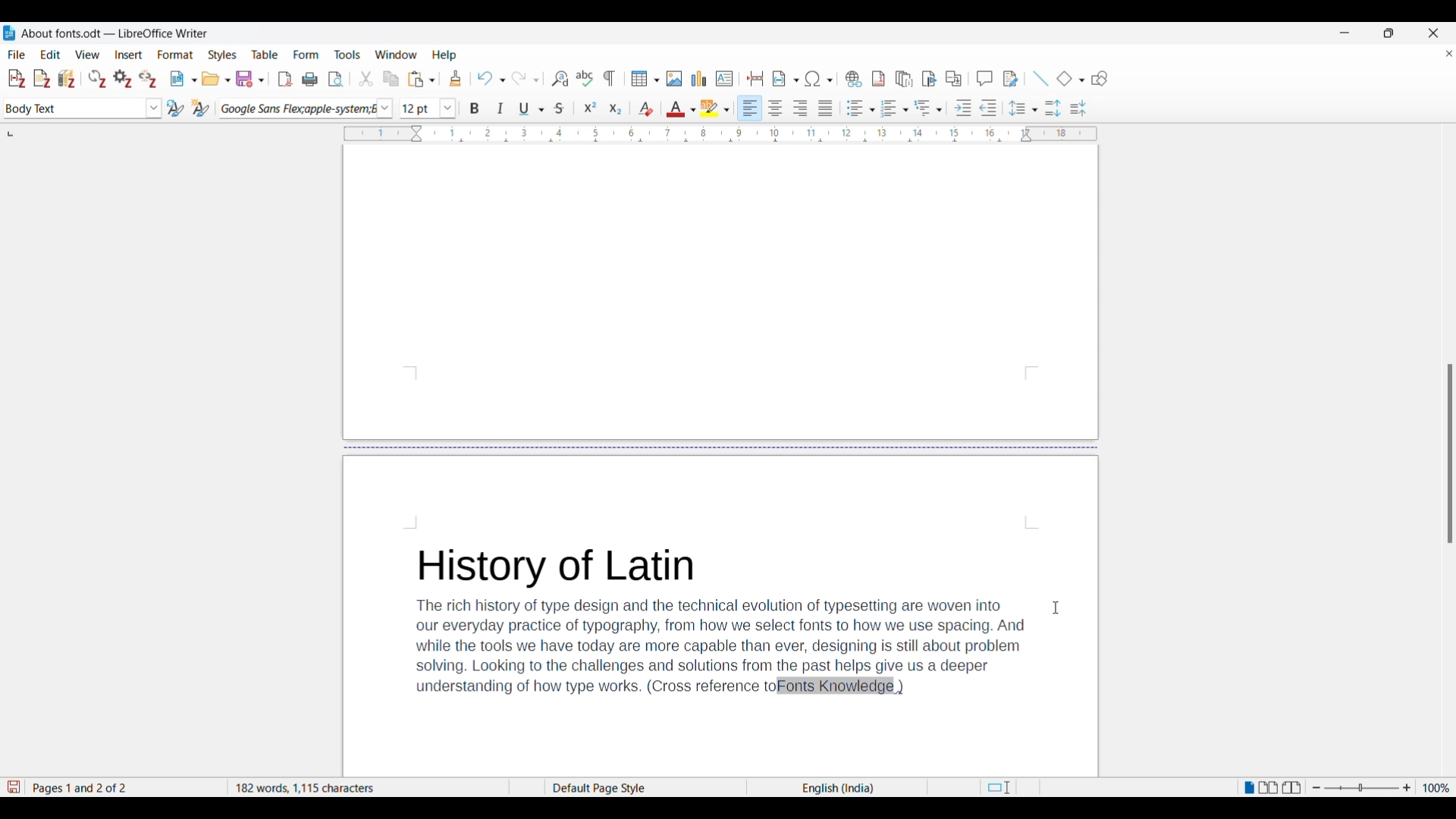 This screenshot has height=819, width=1456. What do you see at coordinates (1247, 790) in the screenshot?
I see `single page view` at bounding box center [1247, 790].